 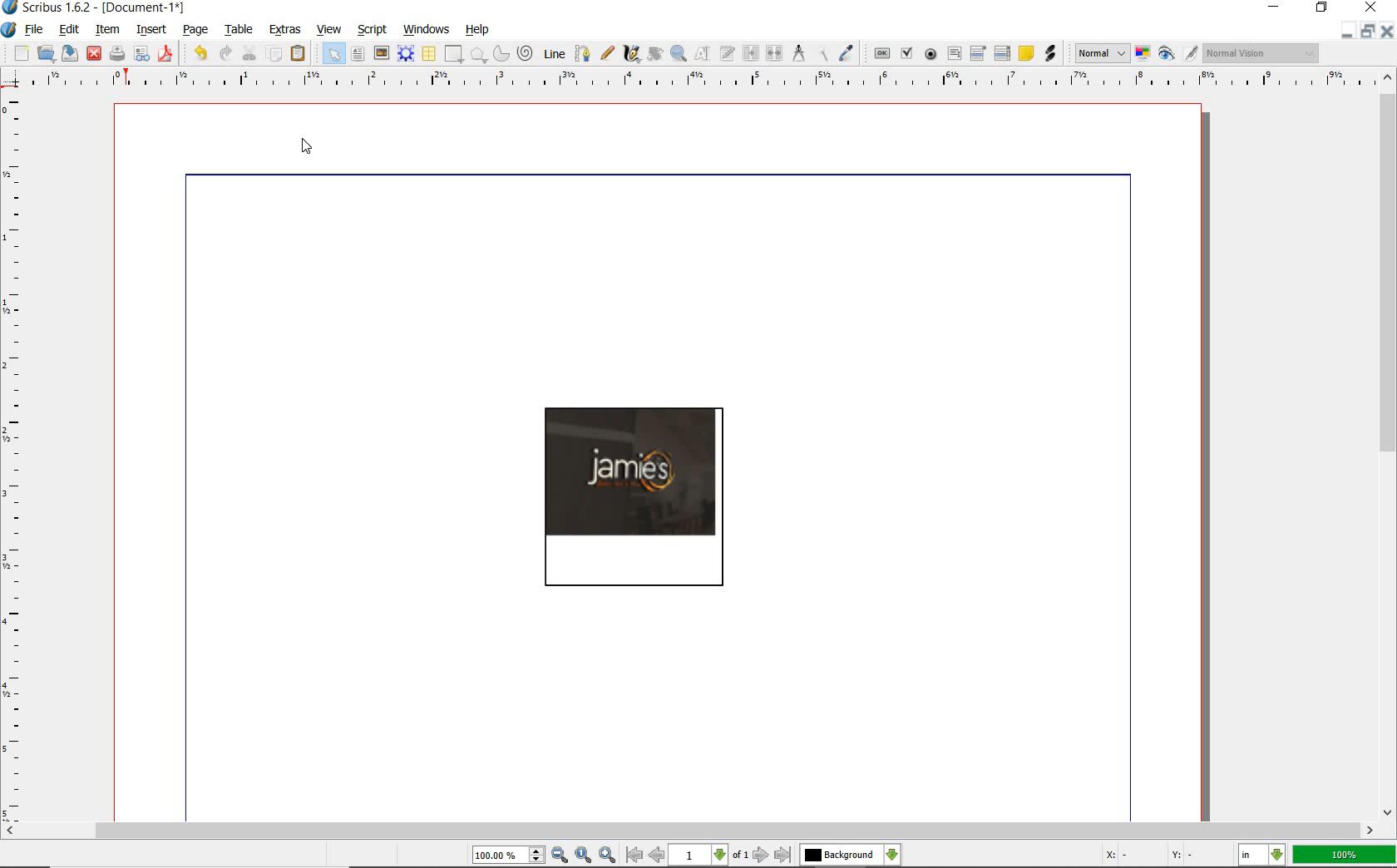 What do you see at coordinates (70, 30) in the screenshot?
I see `edit` at bounding box center [70, 30].